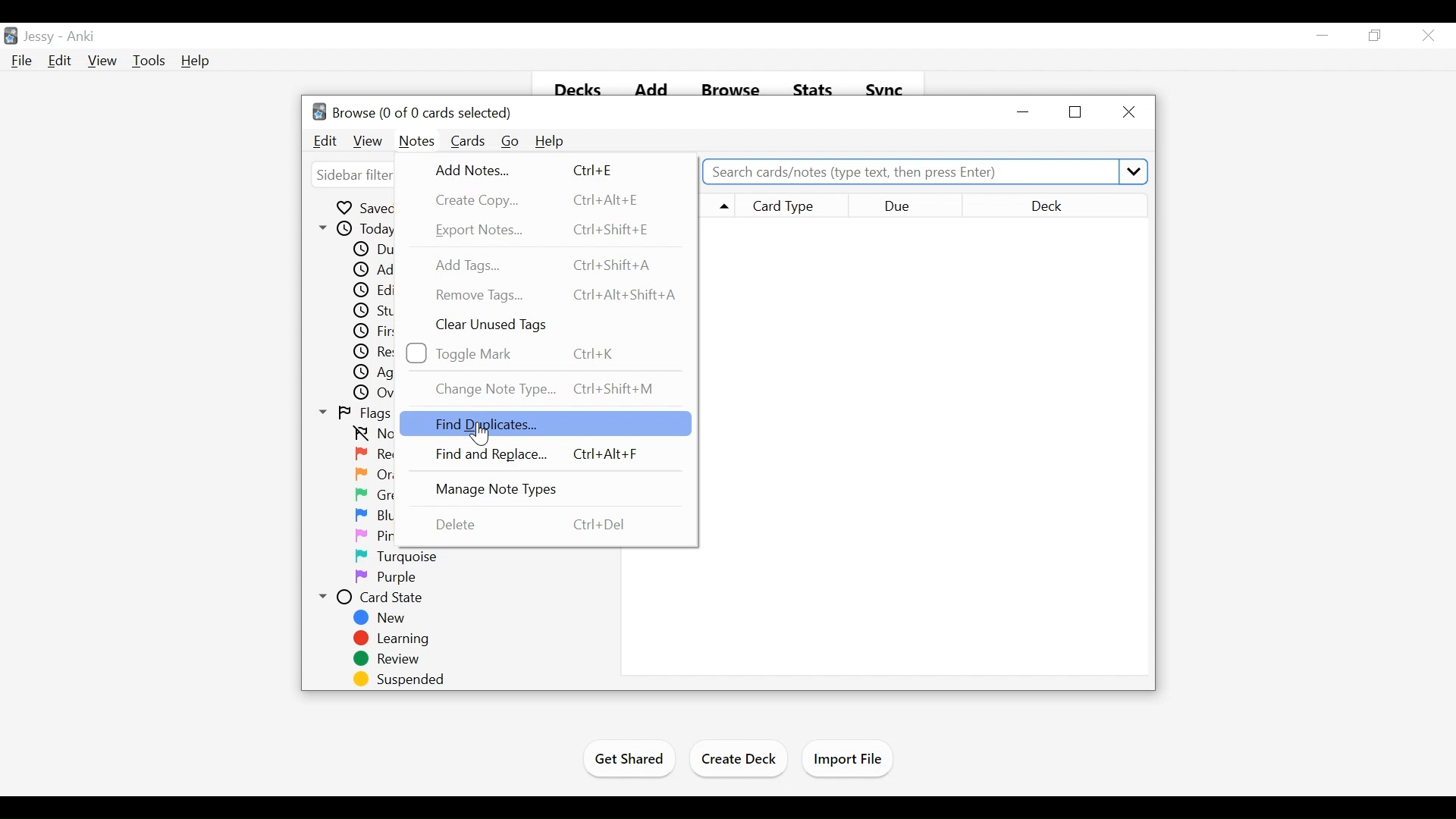 The width and height of the screenshot is (1456, 819). Describe the element at coordinates (58, 60) in the screenshot. I see `Edit` at that location.